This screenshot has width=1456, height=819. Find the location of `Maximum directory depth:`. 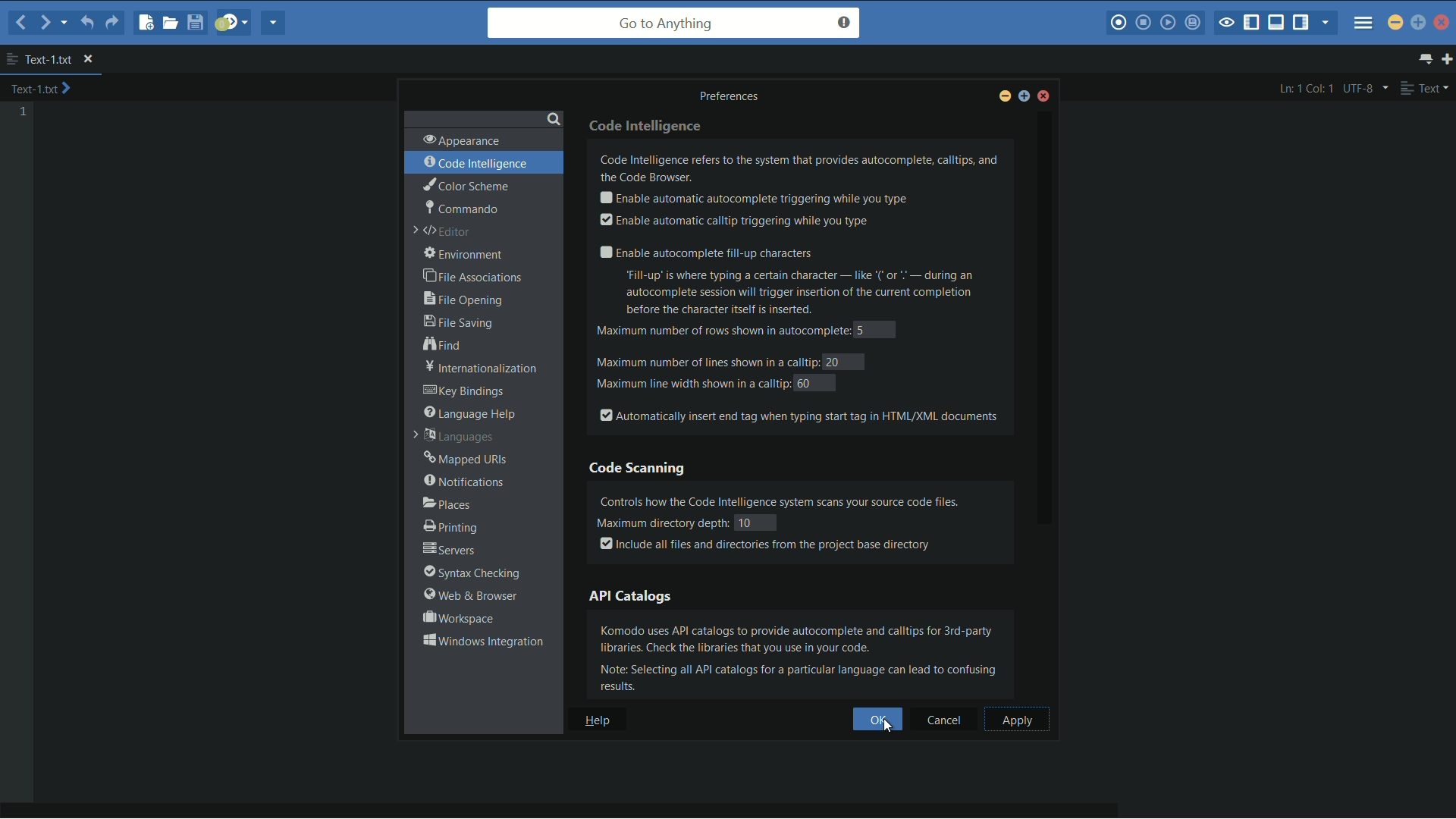

Maximum directory depth: is located at coordinates (661, 522).